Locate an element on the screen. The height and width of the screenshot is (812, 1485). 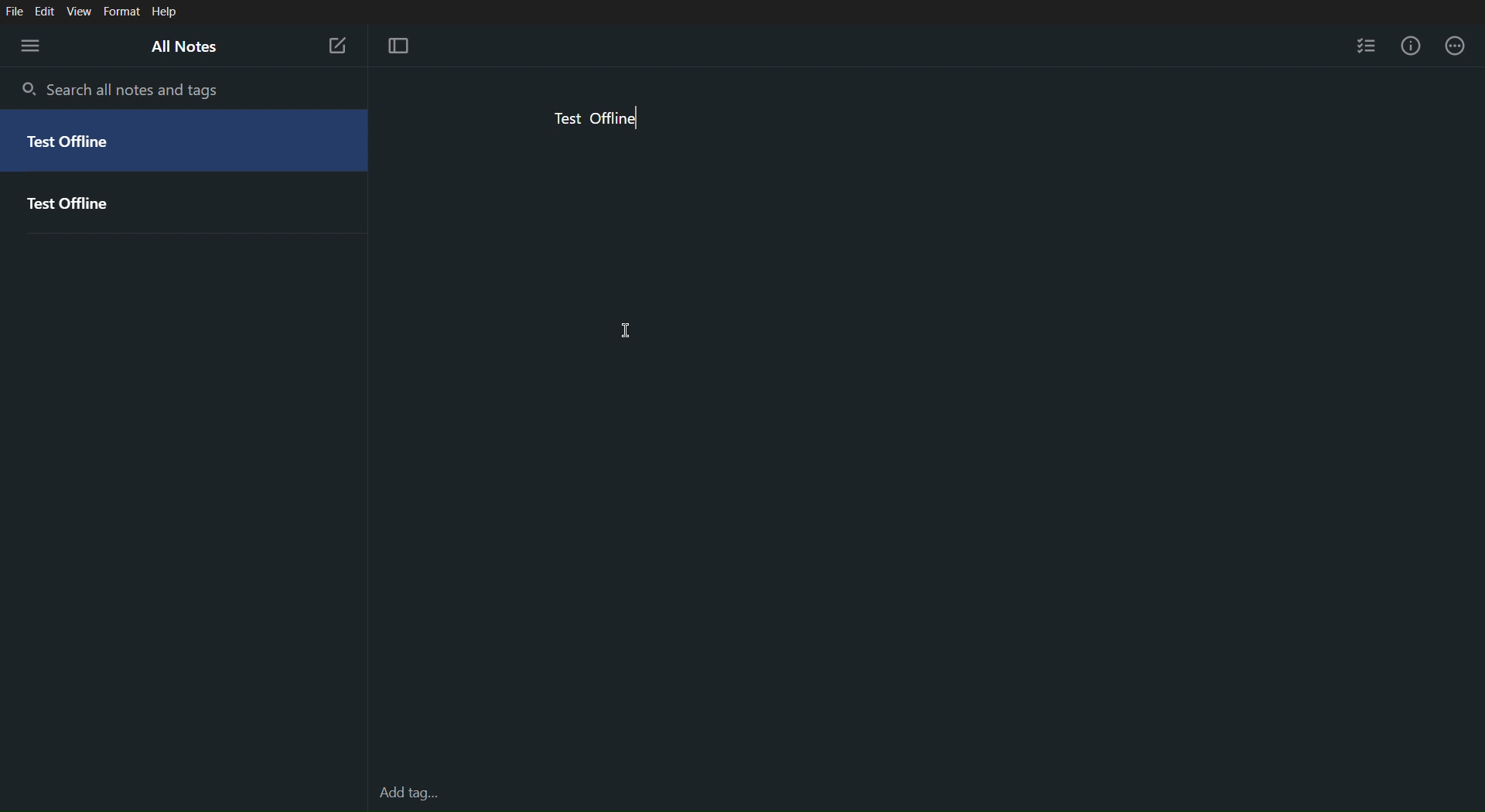
New Note is located at coordinates (337, 45).